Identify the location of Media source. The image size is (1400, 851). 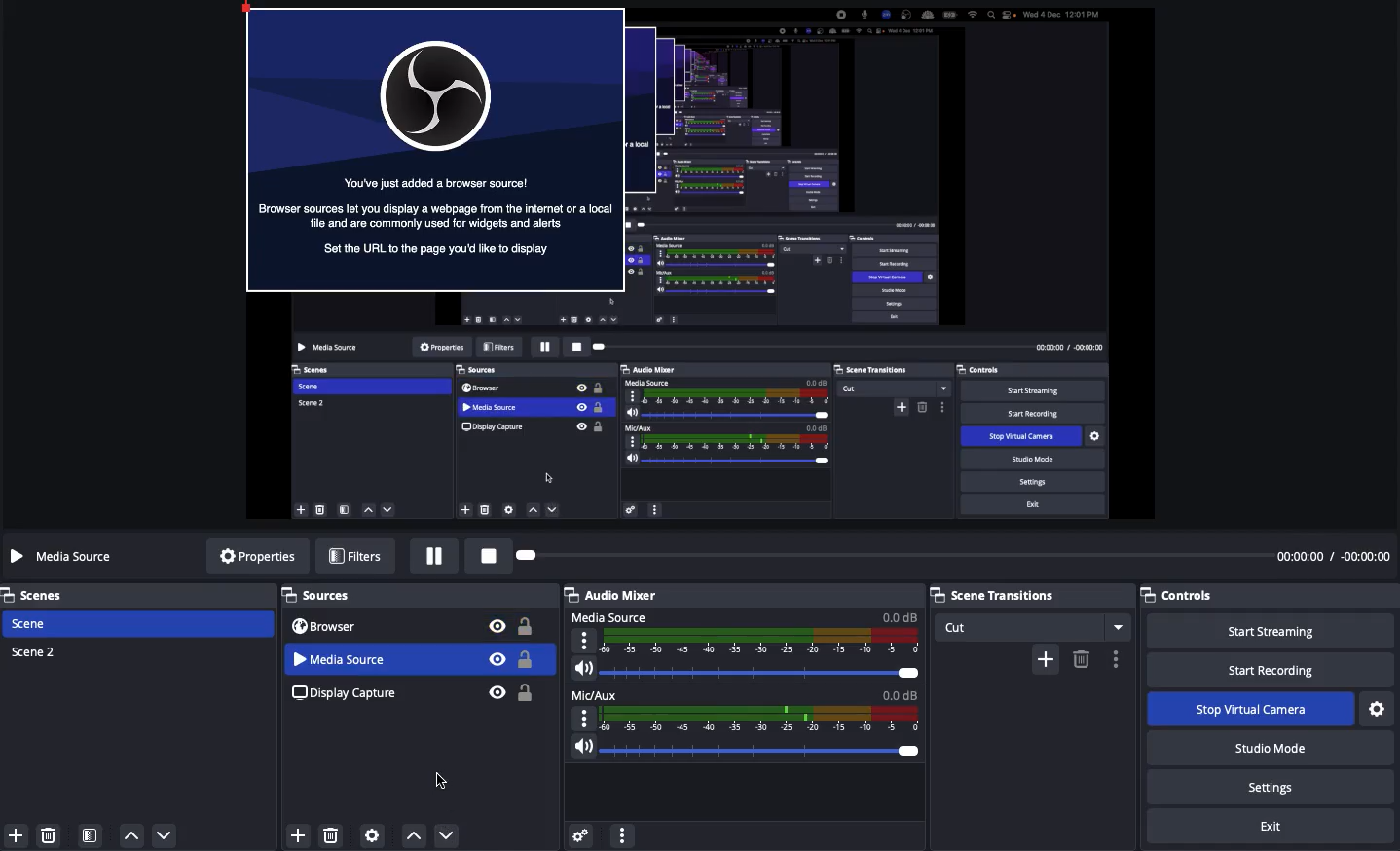
(66, 558).